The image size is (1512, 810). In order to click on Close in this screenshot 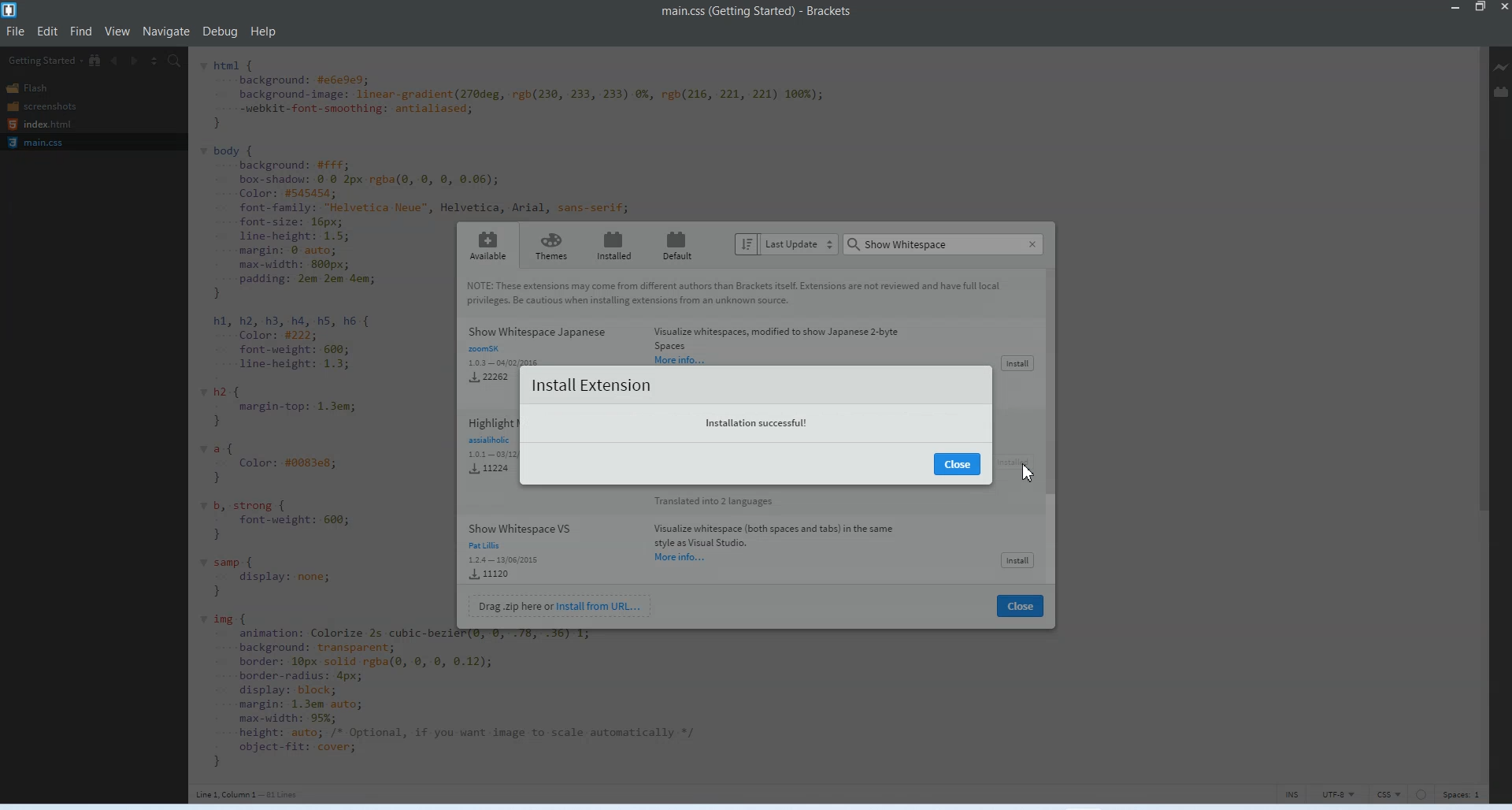, I will do `click(1033, 244)`.